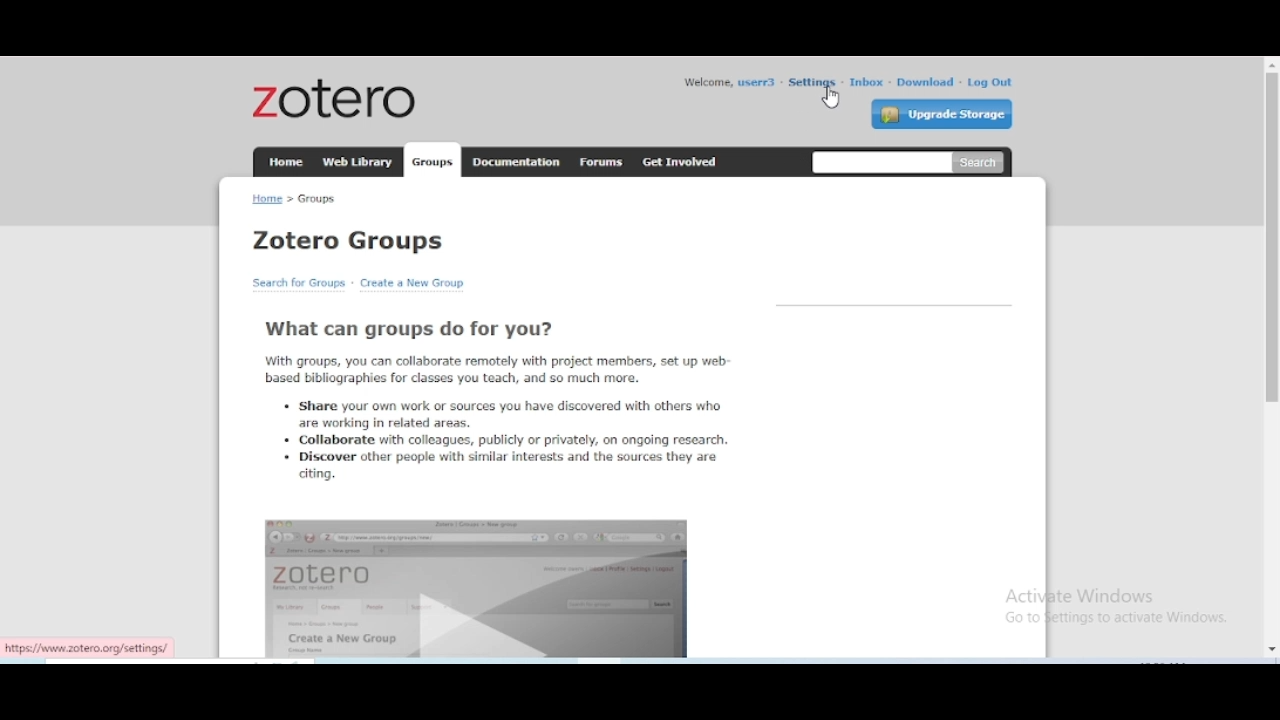  I want to click on « Collaborate with colleagues, publicly or privately, on ongoing research., so click(507, 440).